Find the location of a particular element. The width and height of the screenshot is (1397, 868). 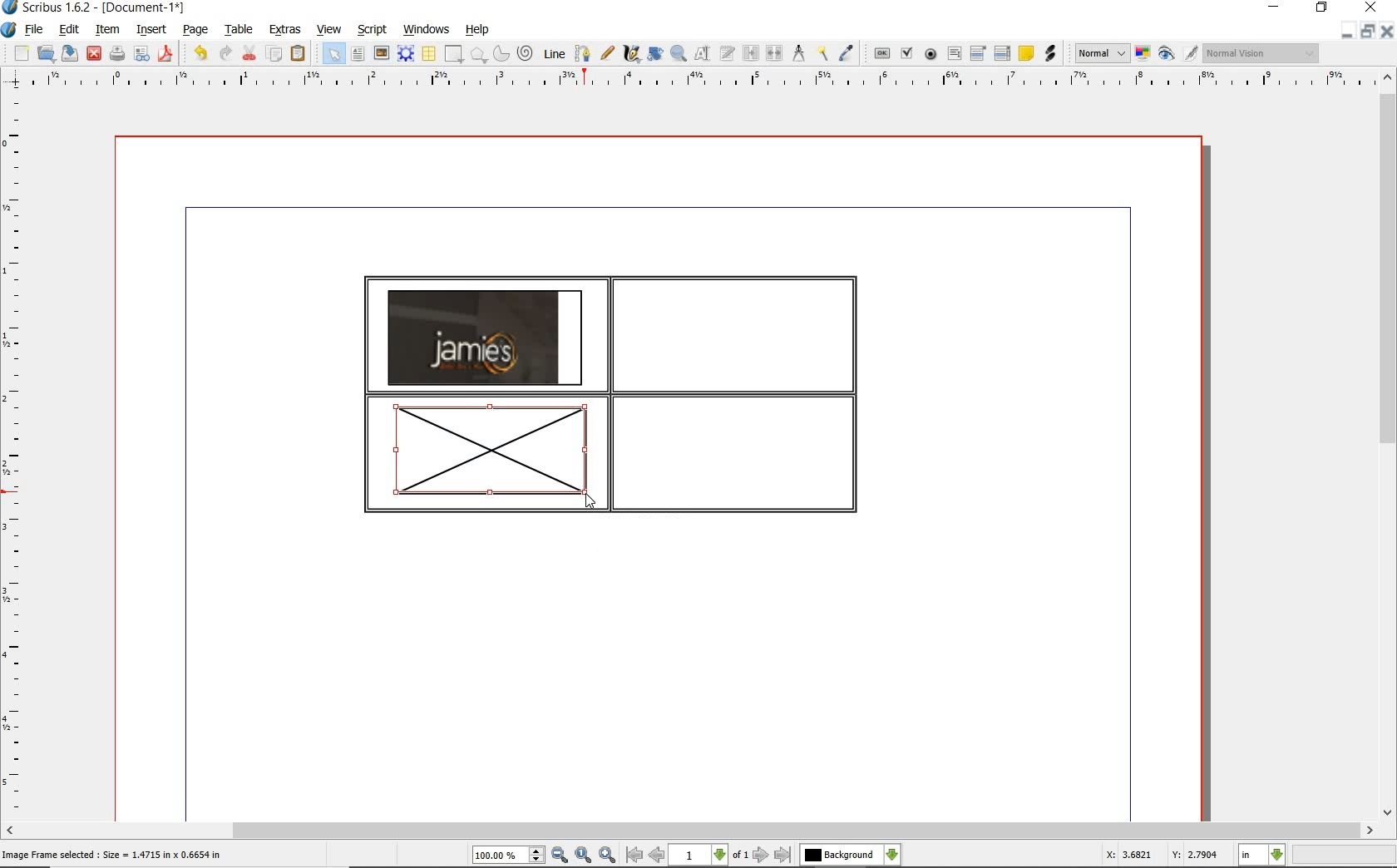

ruler is located at coordinates (16, 455).